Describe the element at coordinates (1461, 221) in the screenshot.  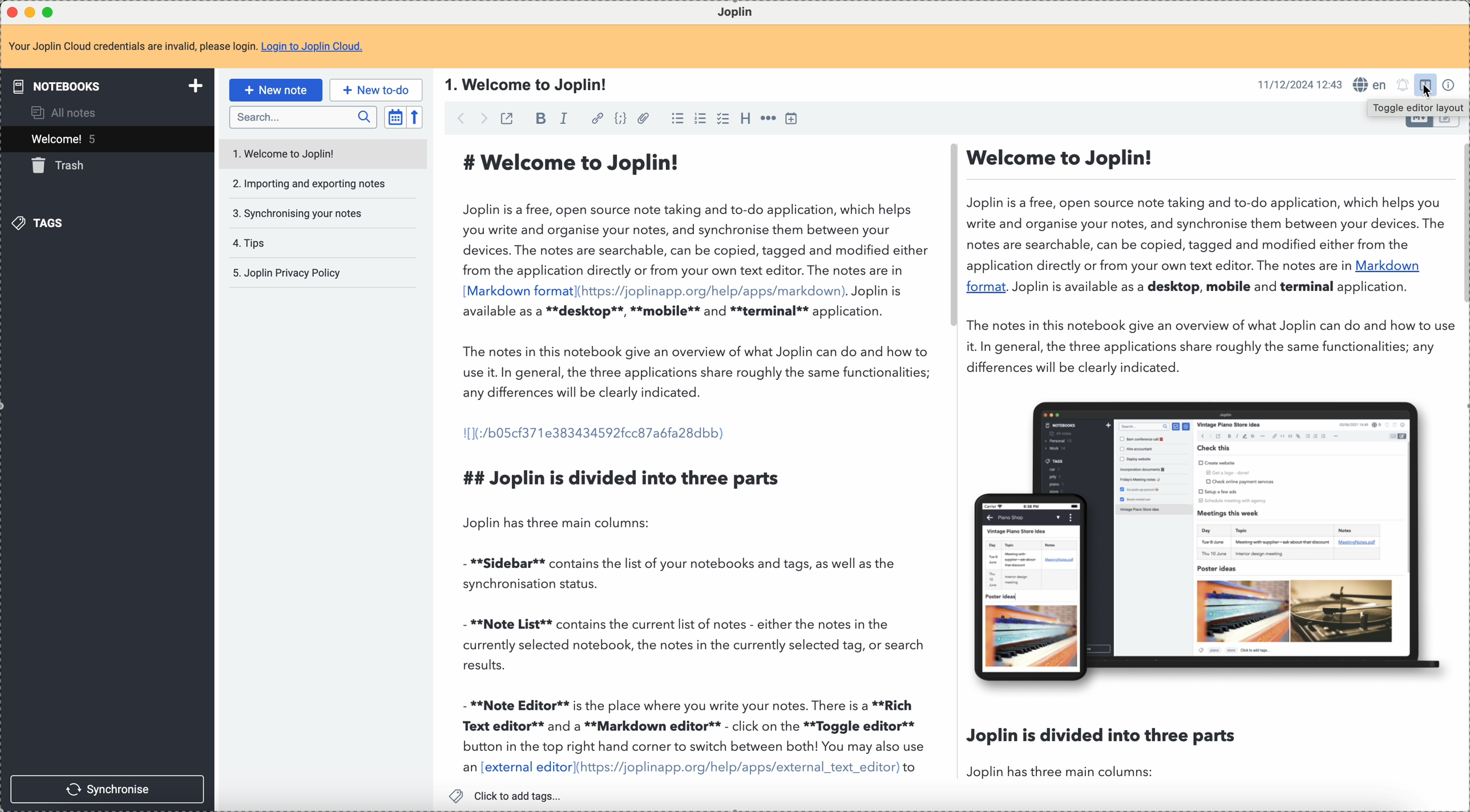
I see `scroll bar` at that location.